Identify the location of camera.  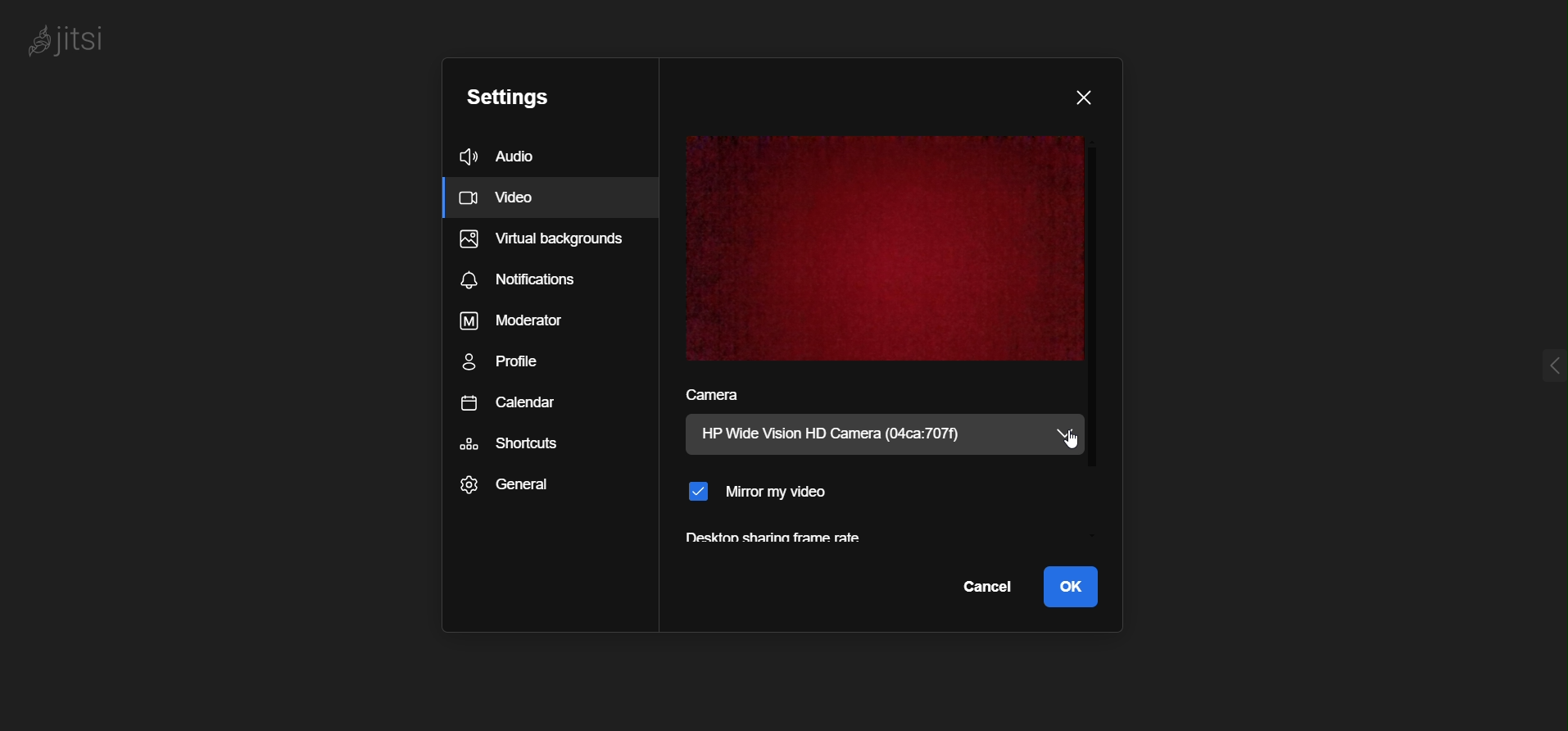
(709, 397).